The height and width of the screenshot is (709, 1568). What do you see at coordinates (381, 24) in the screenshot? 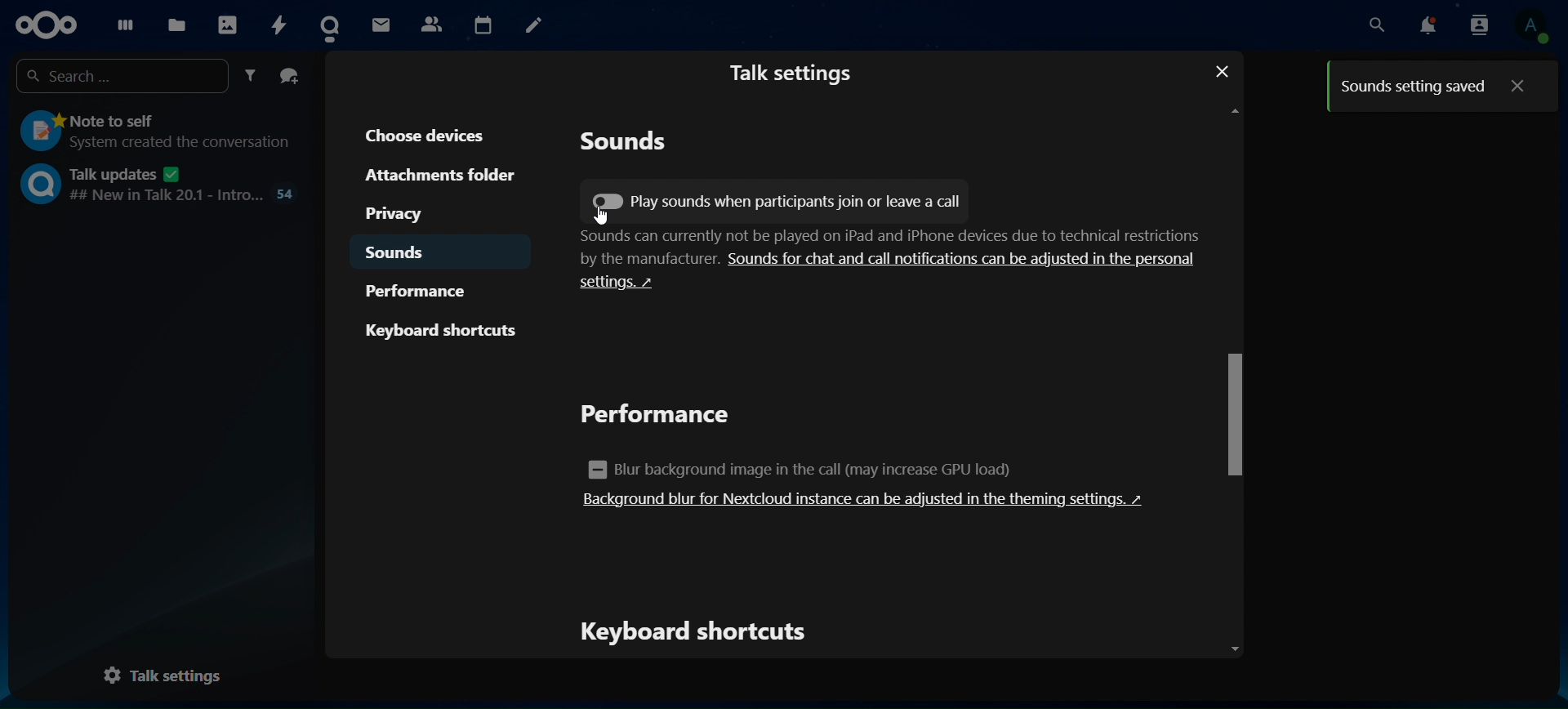
I see `mail` at bounding box center [381, 24].